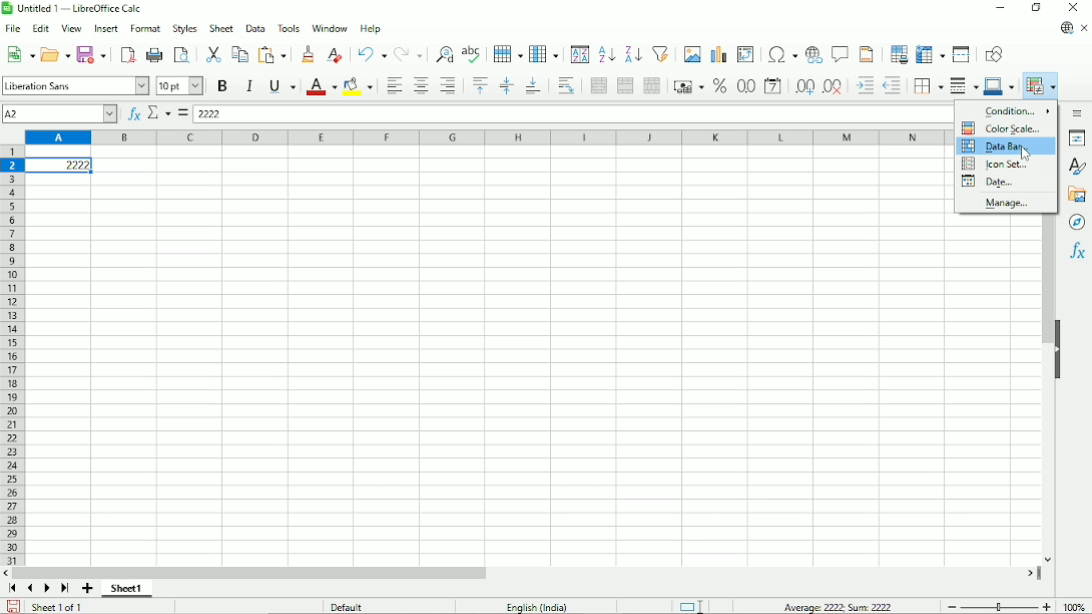  I want to click on Current cell, so click(59, 114).